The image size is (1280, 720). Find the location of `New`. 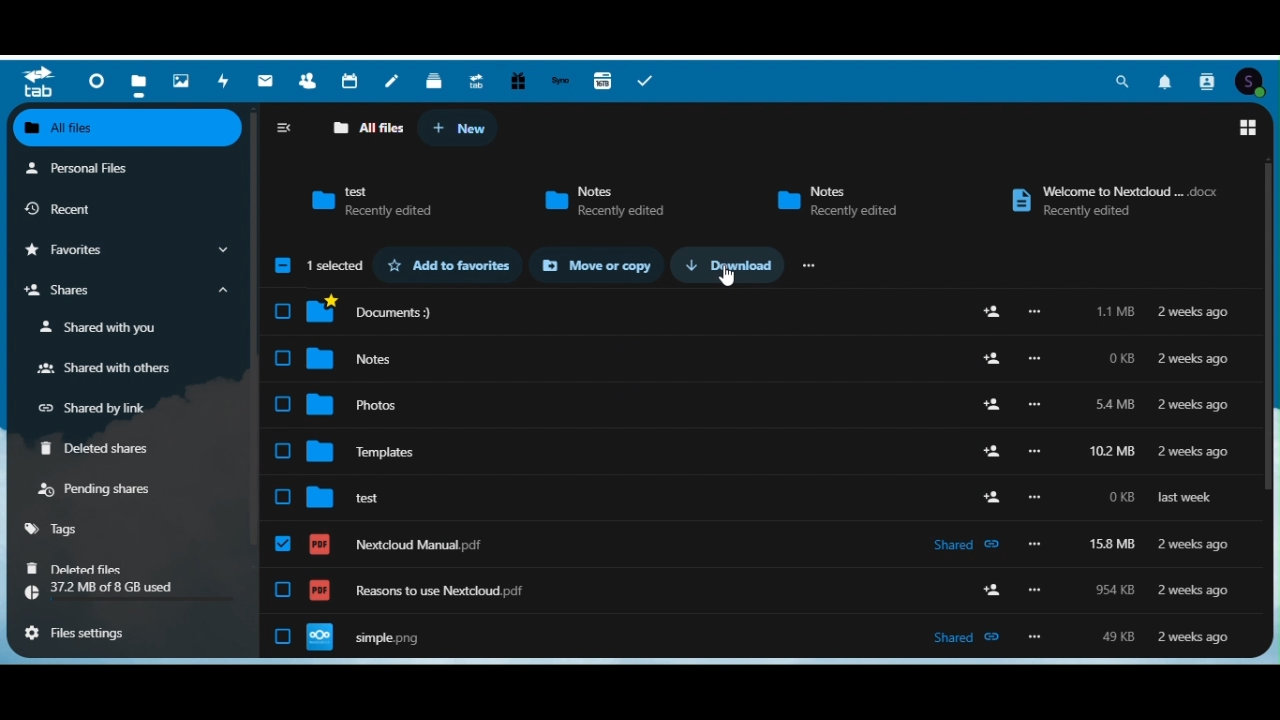

New is located at coordinates (464, 126).